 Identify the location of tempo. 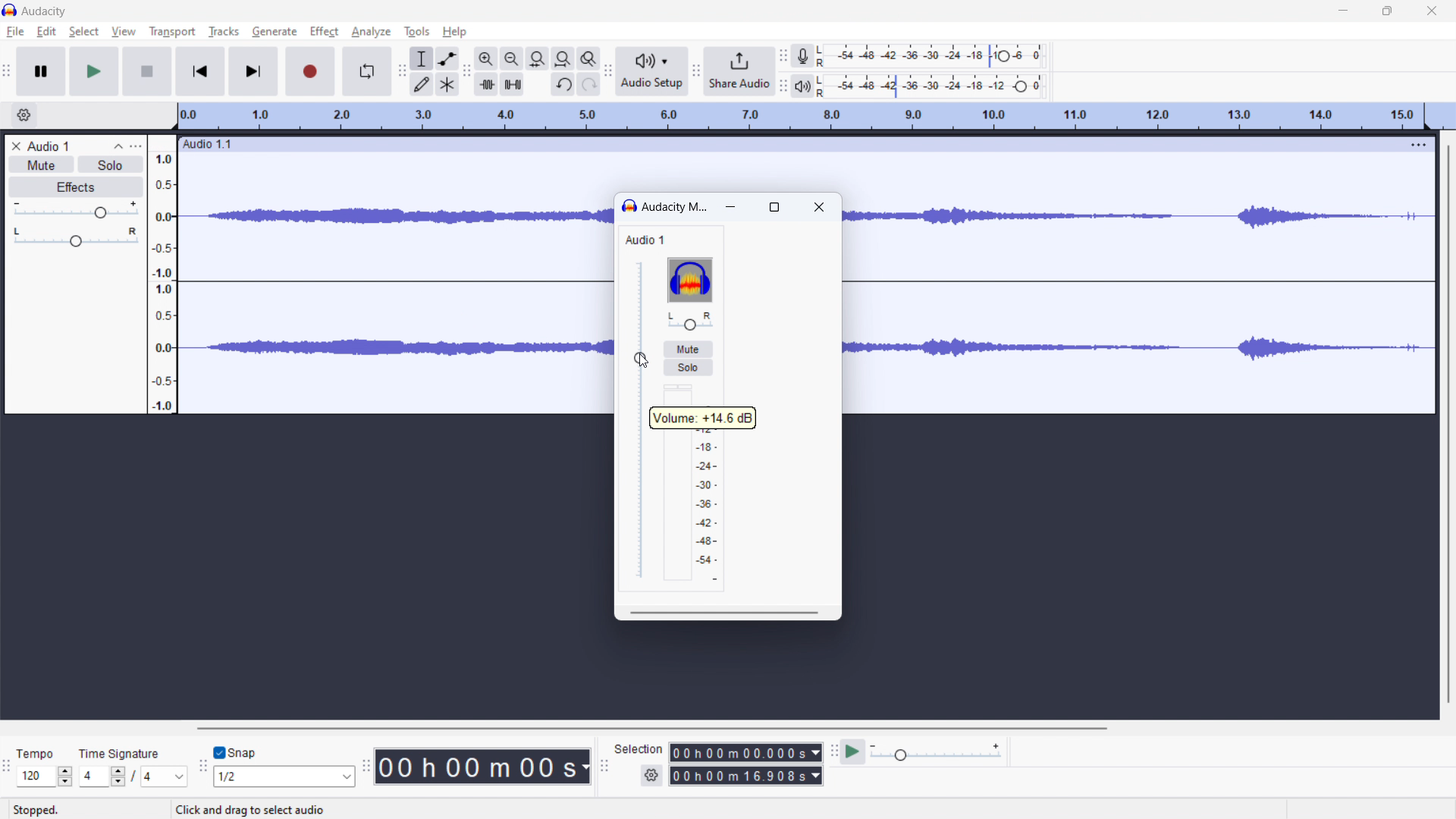
(39, 752).